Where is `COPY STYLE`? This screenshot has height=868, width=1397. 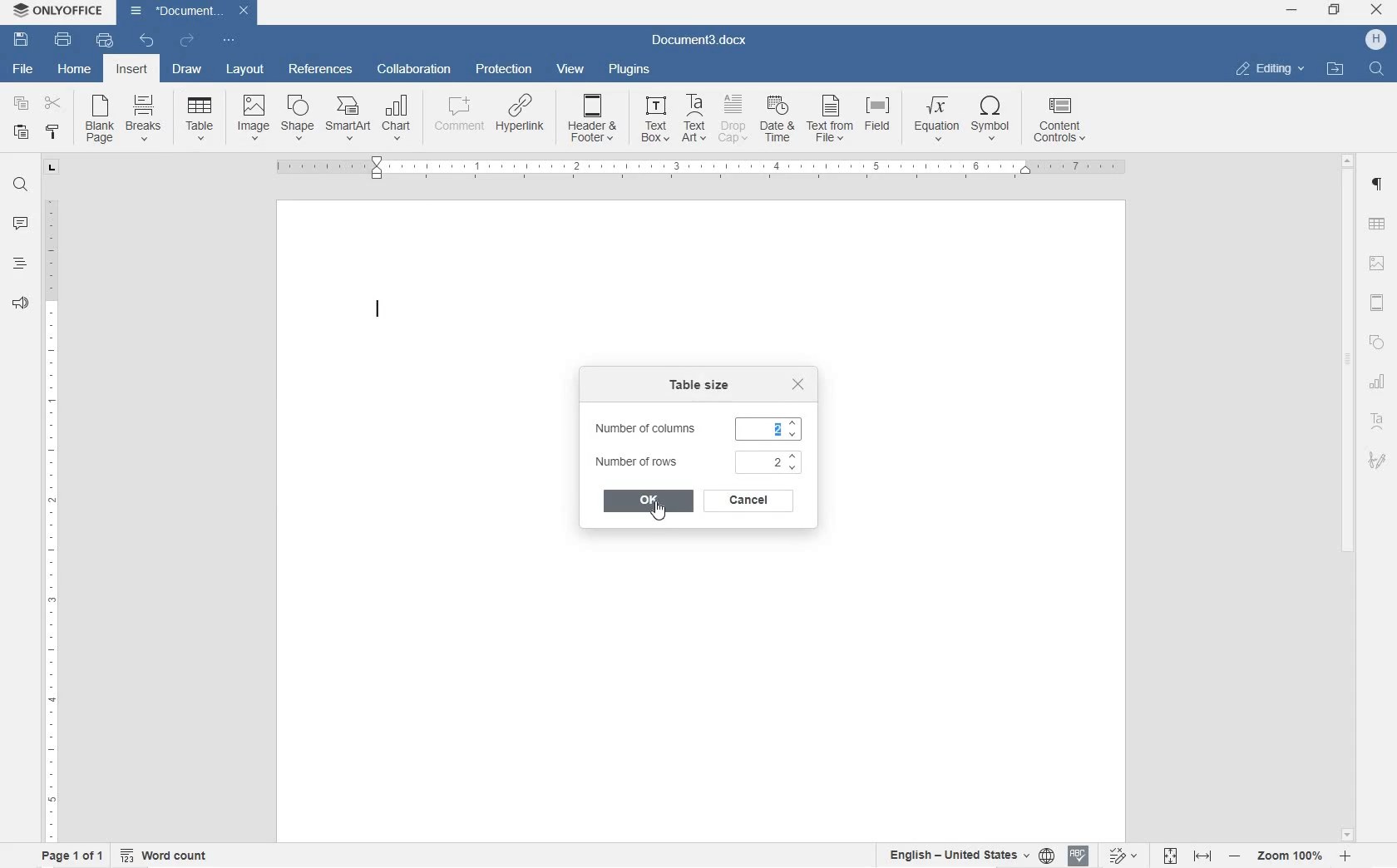 COPY STYLE is located at coordinates (54, 134).